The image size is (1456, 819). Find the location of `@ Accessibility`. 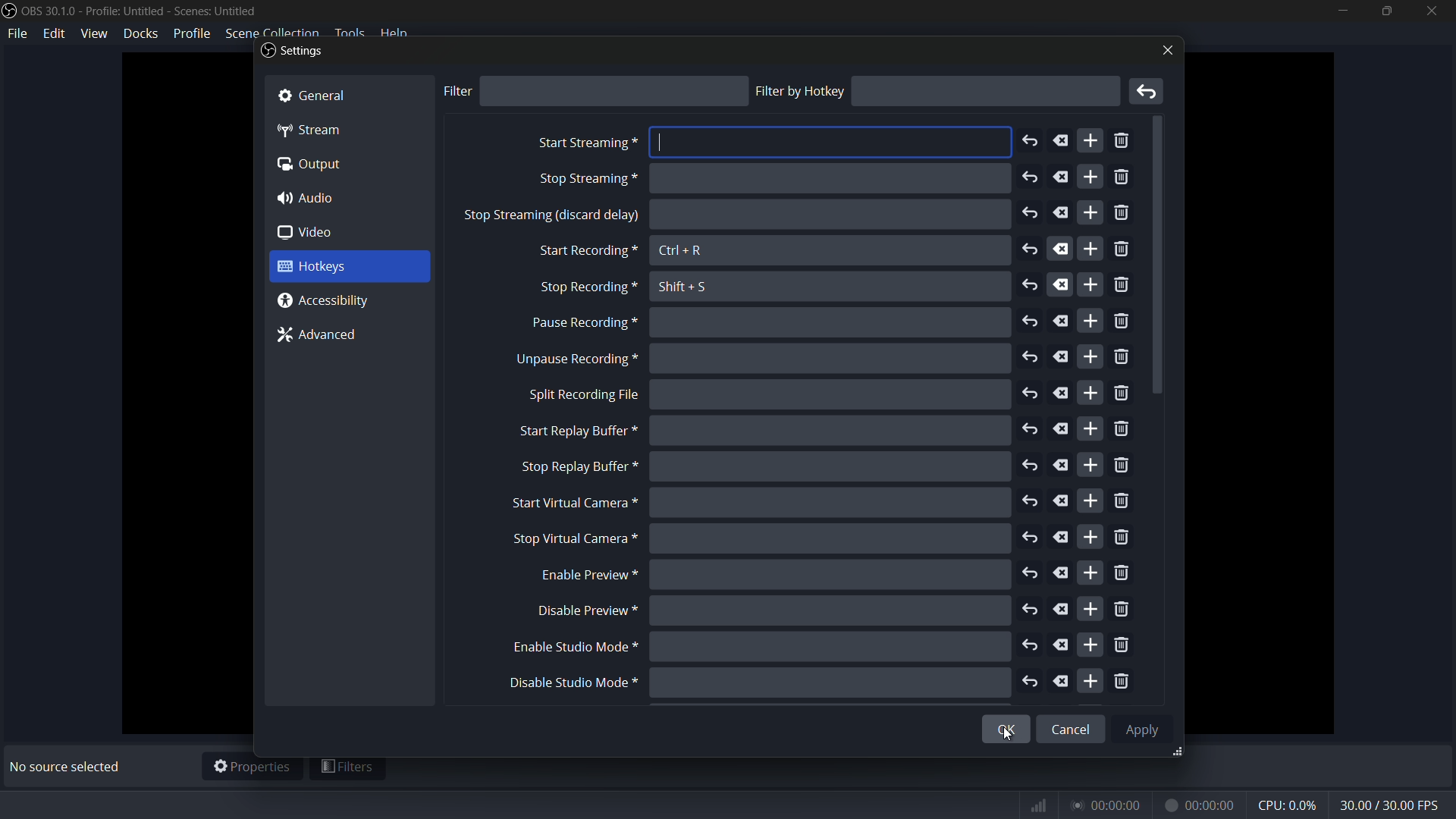

@ Accessibility is located at coordinates (330, 301).